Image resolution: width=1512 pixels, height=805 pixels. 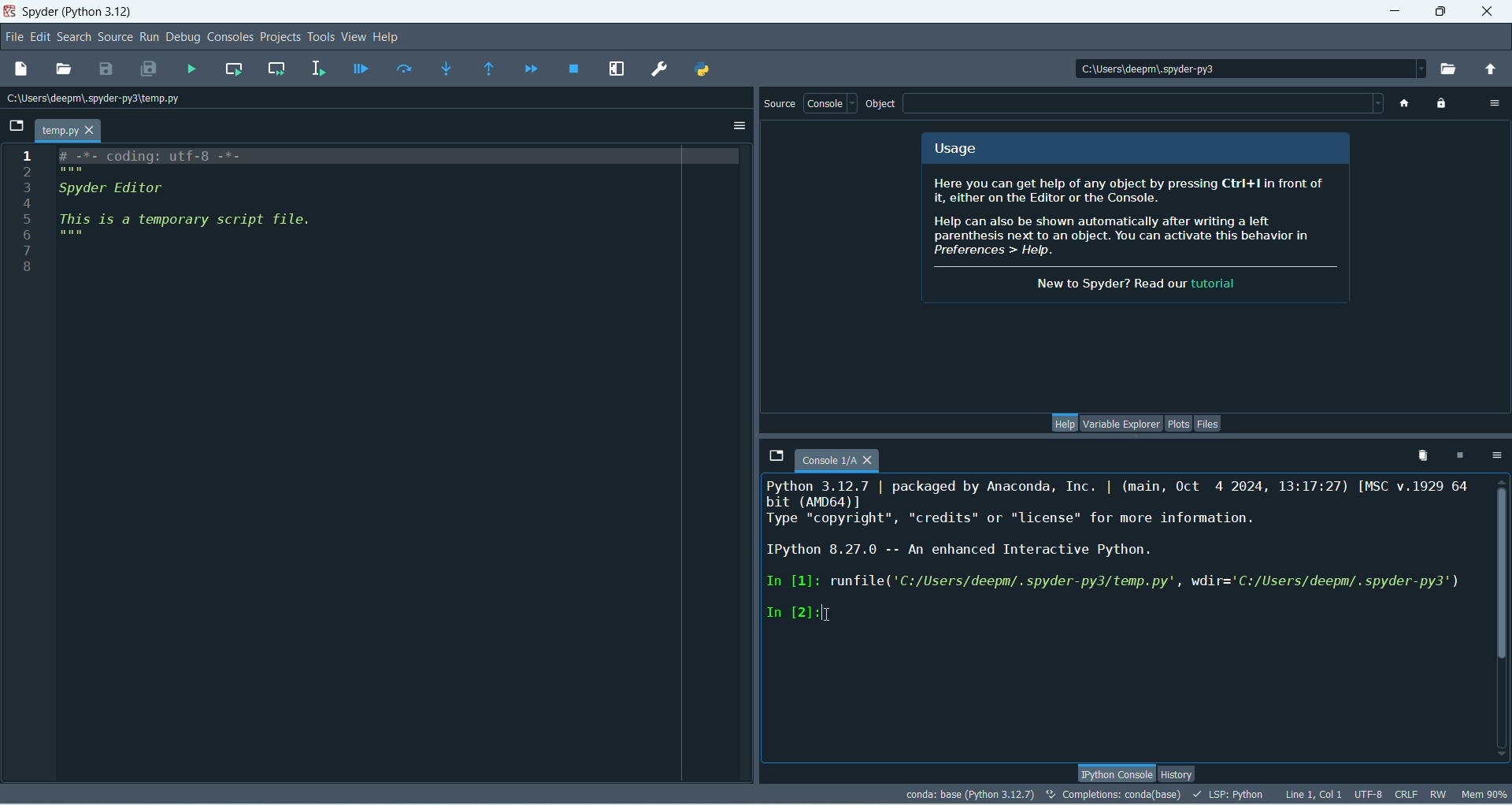 I want to click on temp.py, so click(x=70, y=131).